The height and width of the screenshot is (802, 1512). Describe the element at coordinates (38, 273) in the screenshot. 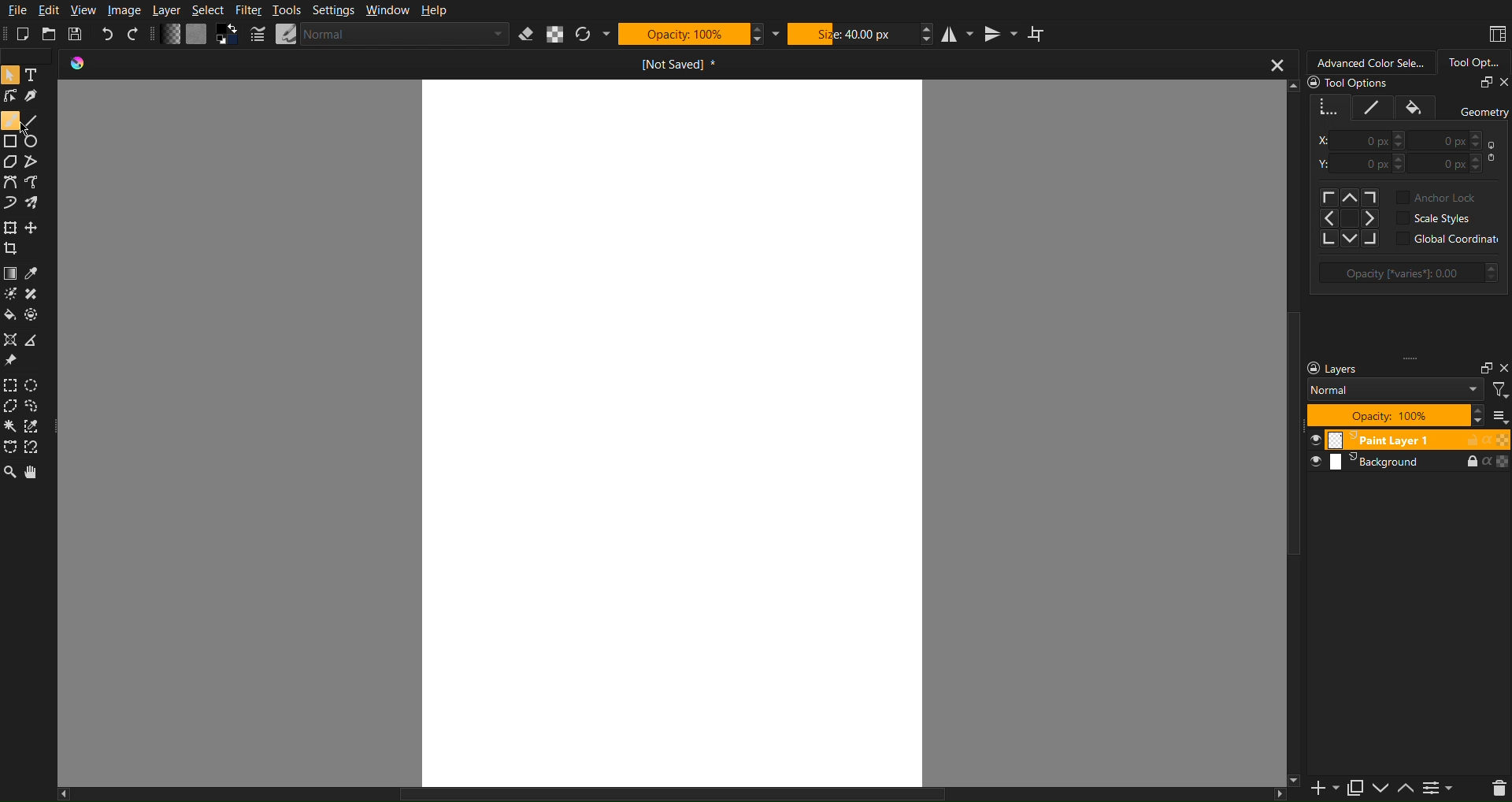

I see `Color Picker` at that location.